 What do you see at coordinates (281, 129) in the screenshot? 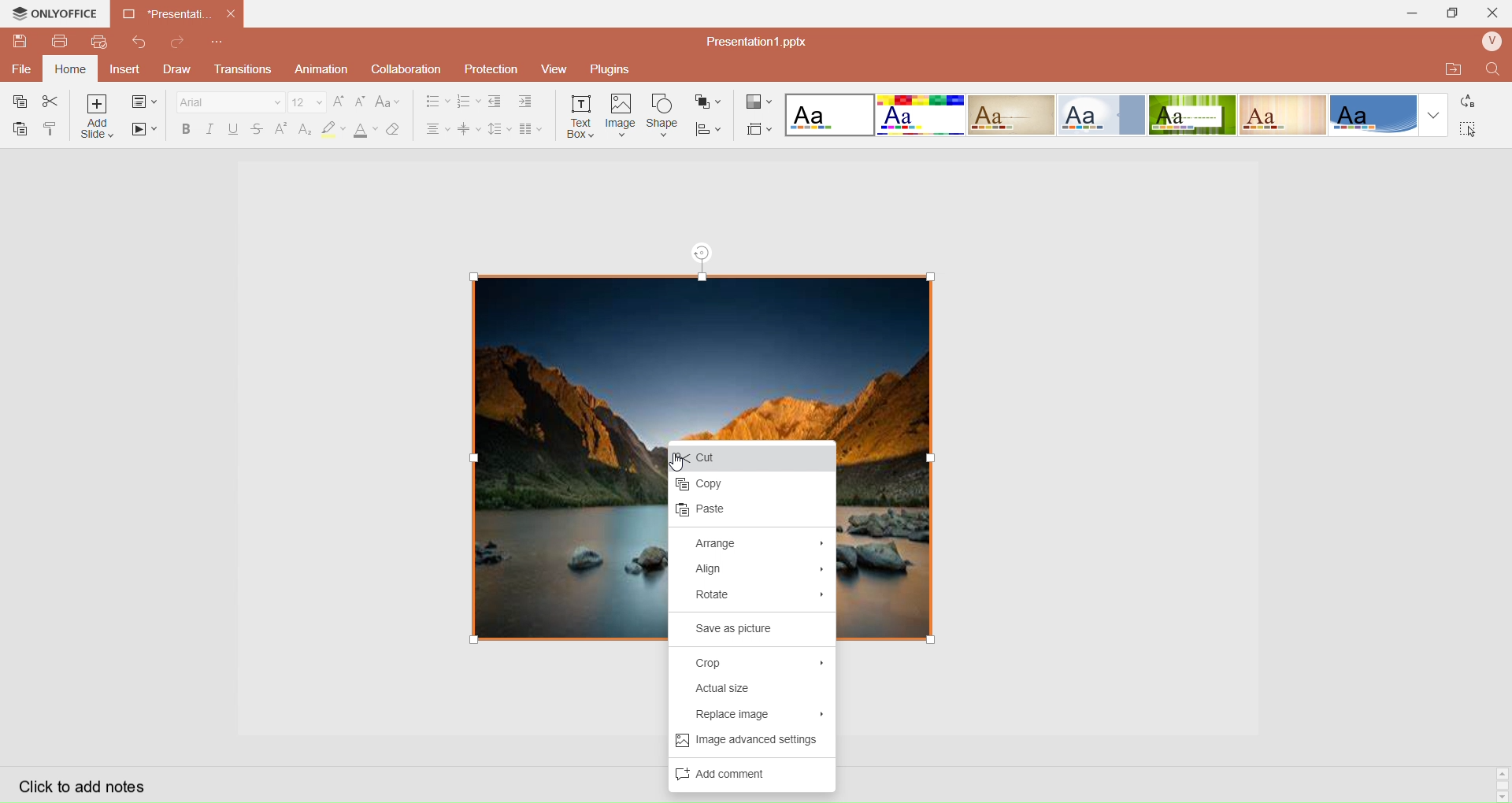
I see `Superscript` at bounding box center [281, 129].